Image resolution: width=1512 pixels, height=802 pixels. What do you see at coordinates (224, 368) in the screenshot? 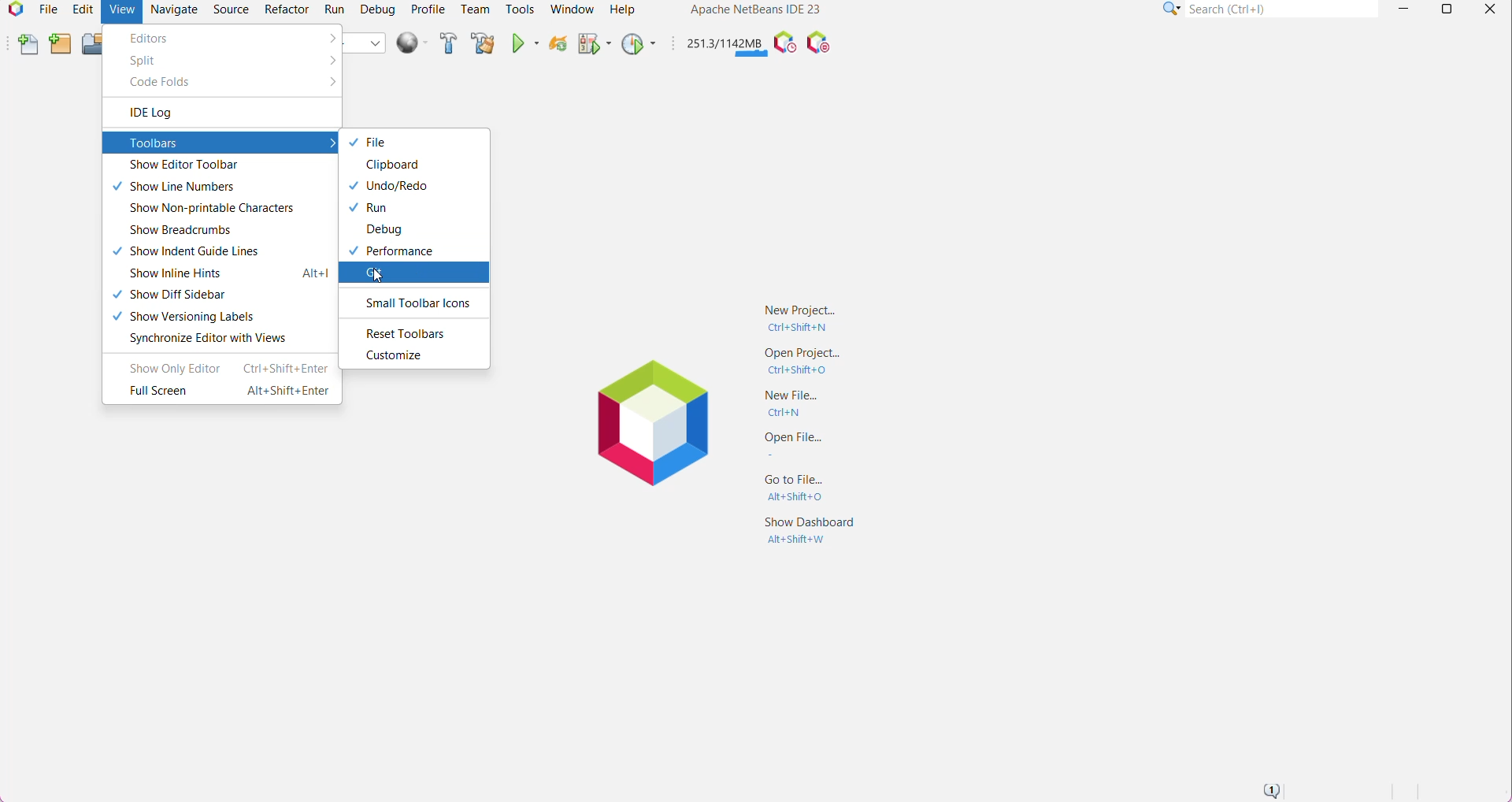
I see `Show Only Editor` at bounding box center [224, 368].